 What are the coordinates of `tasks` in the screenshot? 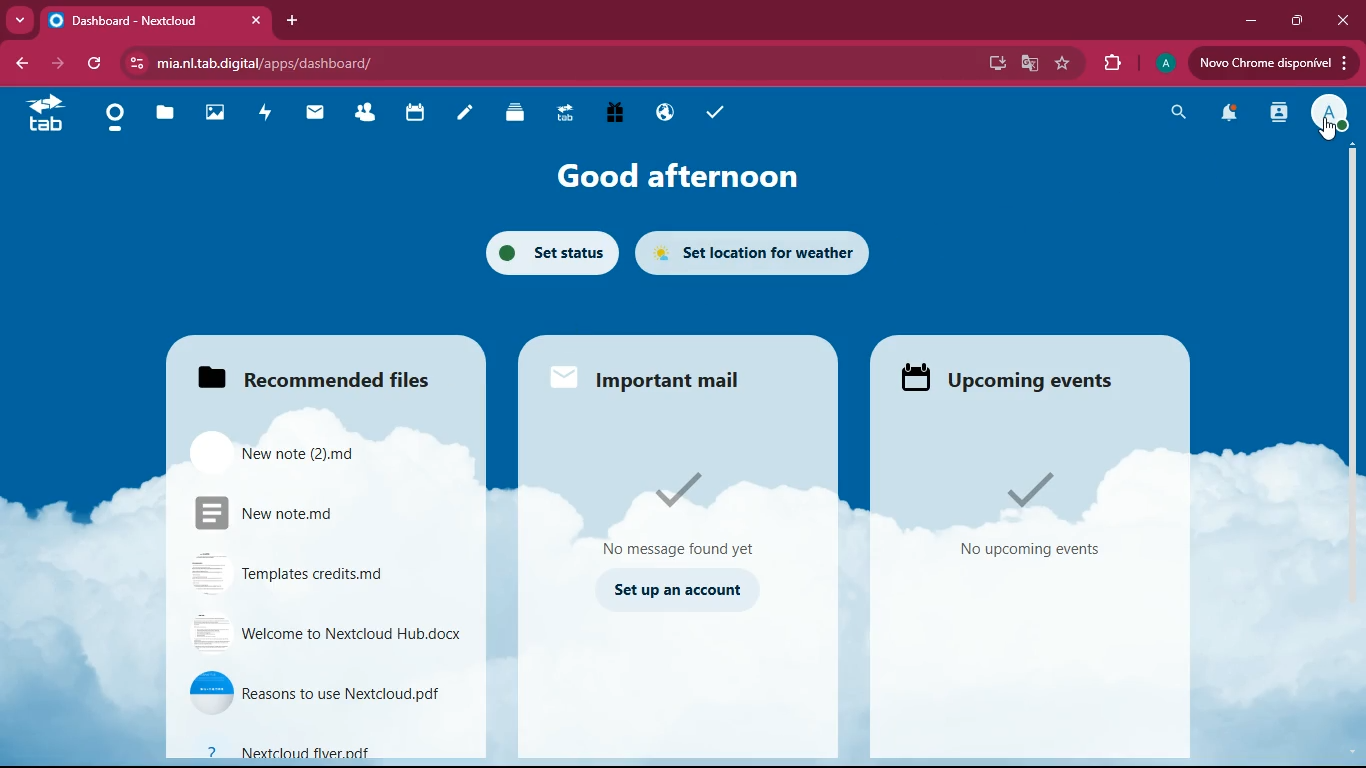 It's located at (714, 116).